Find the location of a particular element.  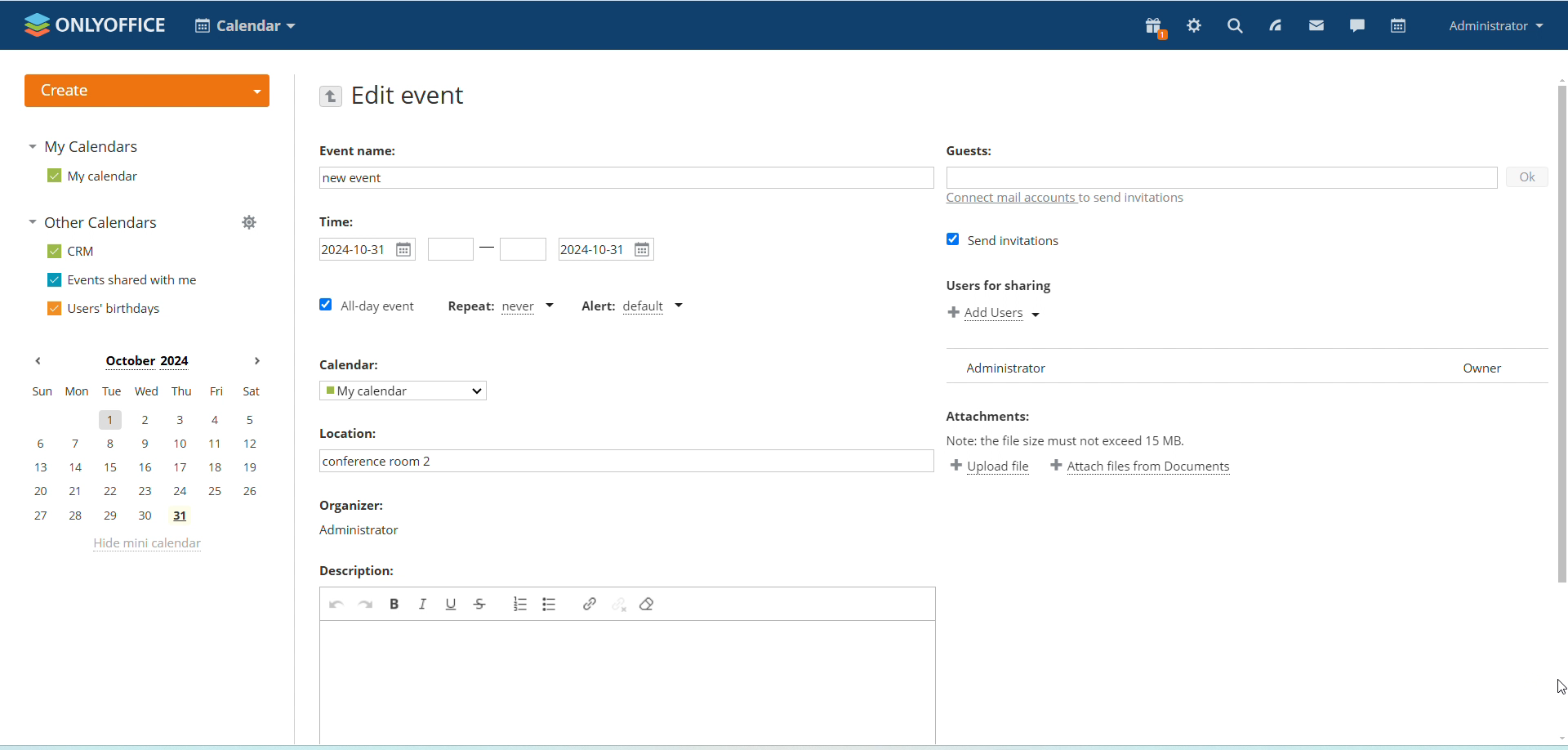

Users for sharing is located at coordinates (997, 287).